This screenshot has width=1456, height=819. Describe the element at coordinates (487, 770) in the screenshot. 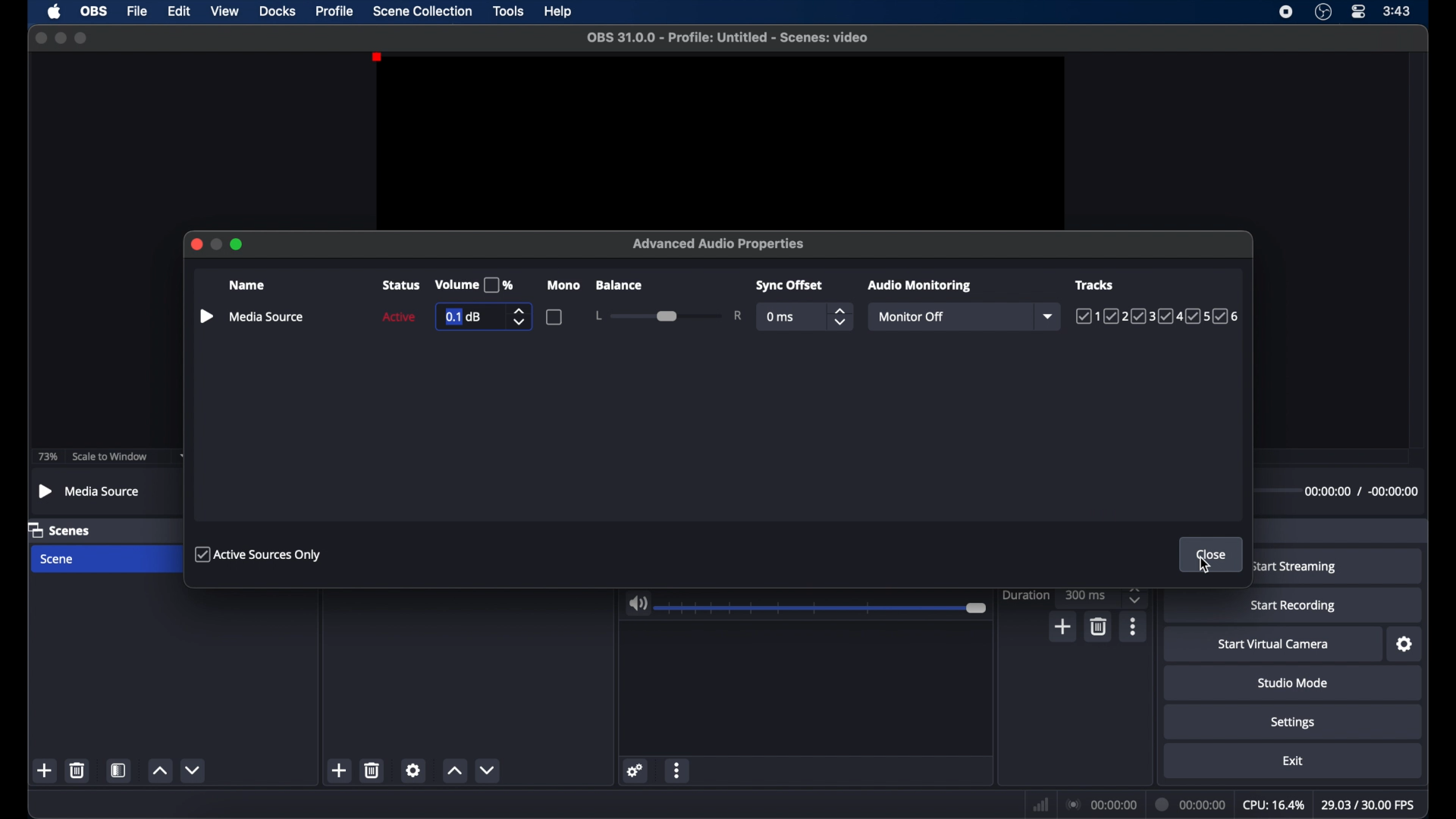

I see `decrement` at that location.